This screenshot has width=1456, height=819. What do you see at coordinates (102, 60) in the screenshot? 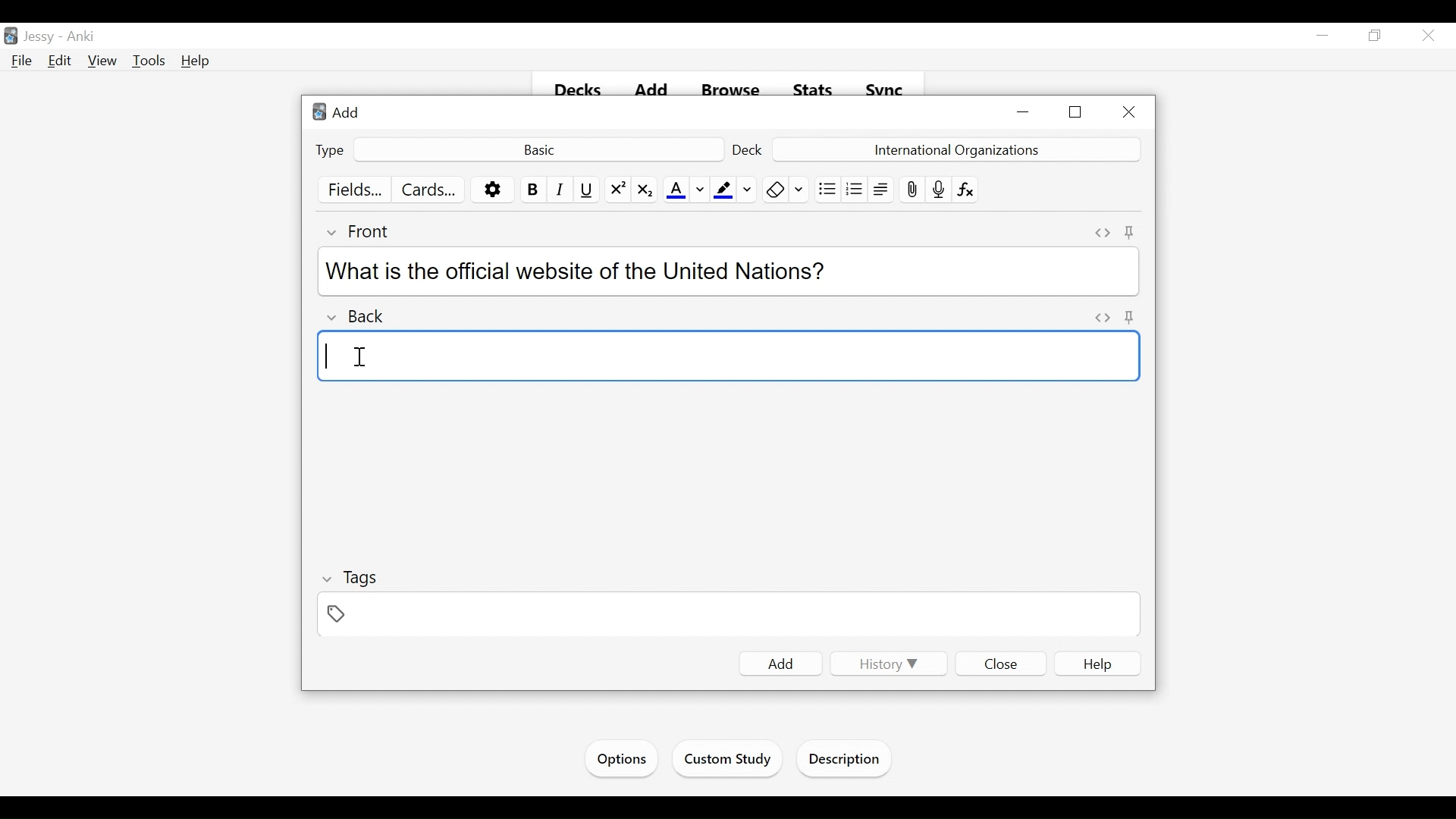
I see `View` at bounding box center [102, 60].